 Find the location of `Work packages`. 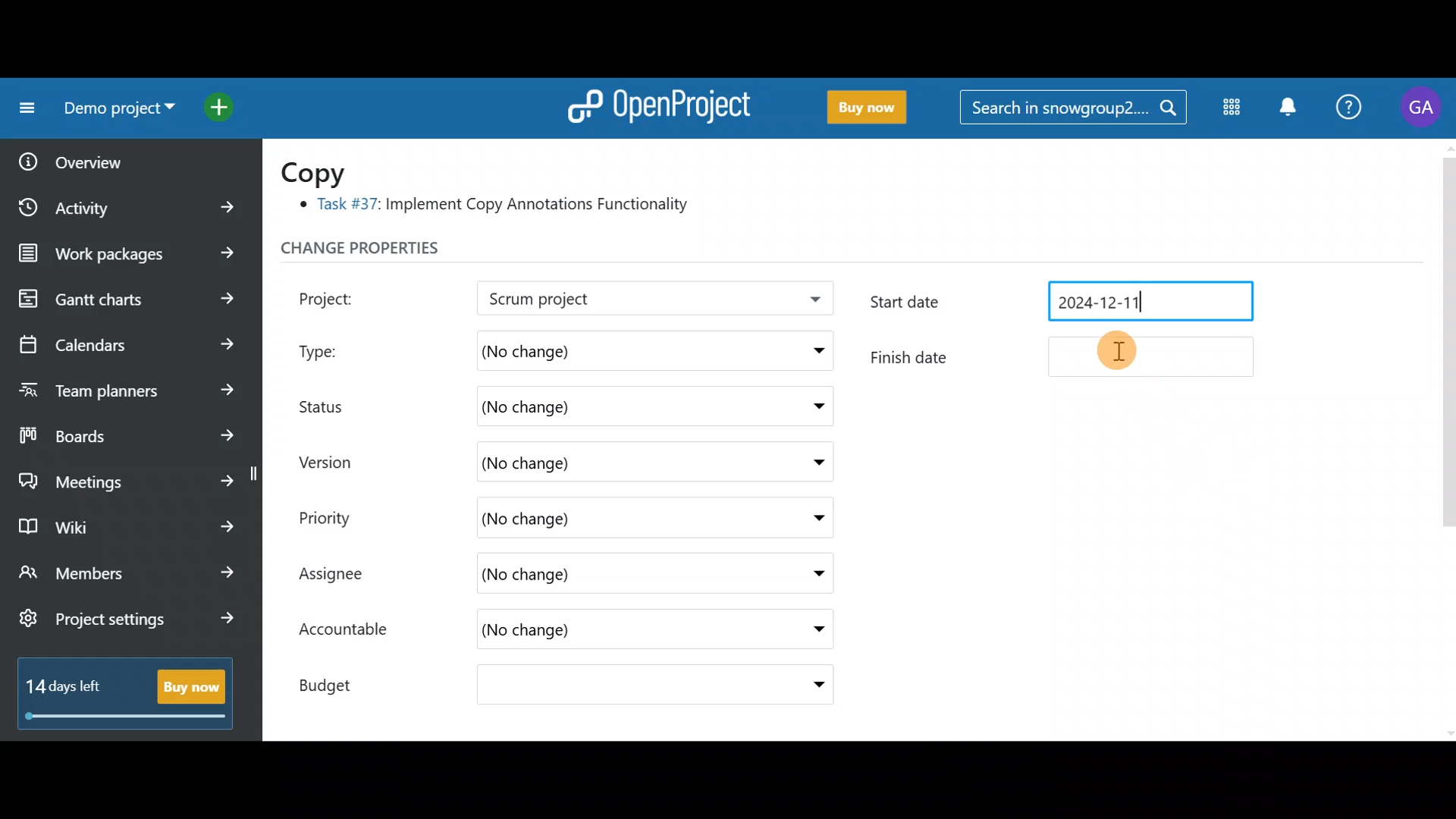

Work packages is located at coordinates (130, 253).